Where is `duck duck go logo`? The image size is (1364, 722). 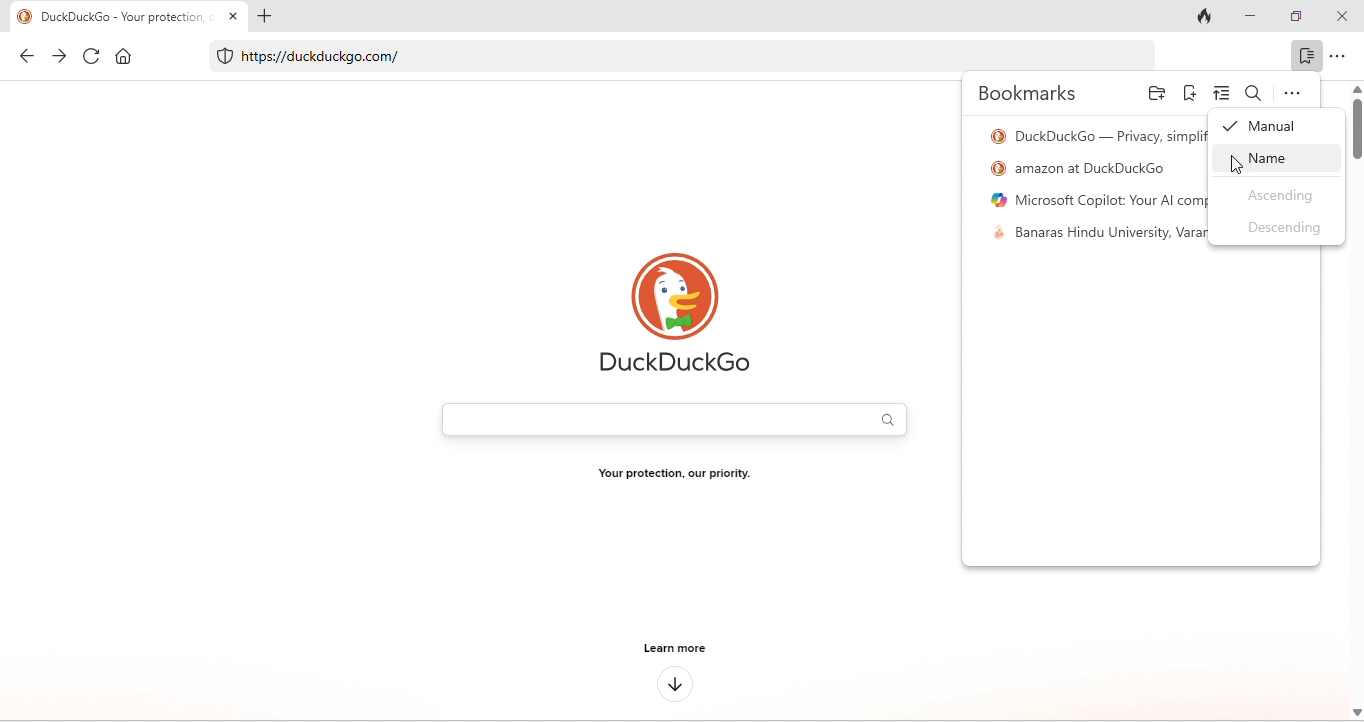 duck duck go logo is located at coordinates (675, 316).